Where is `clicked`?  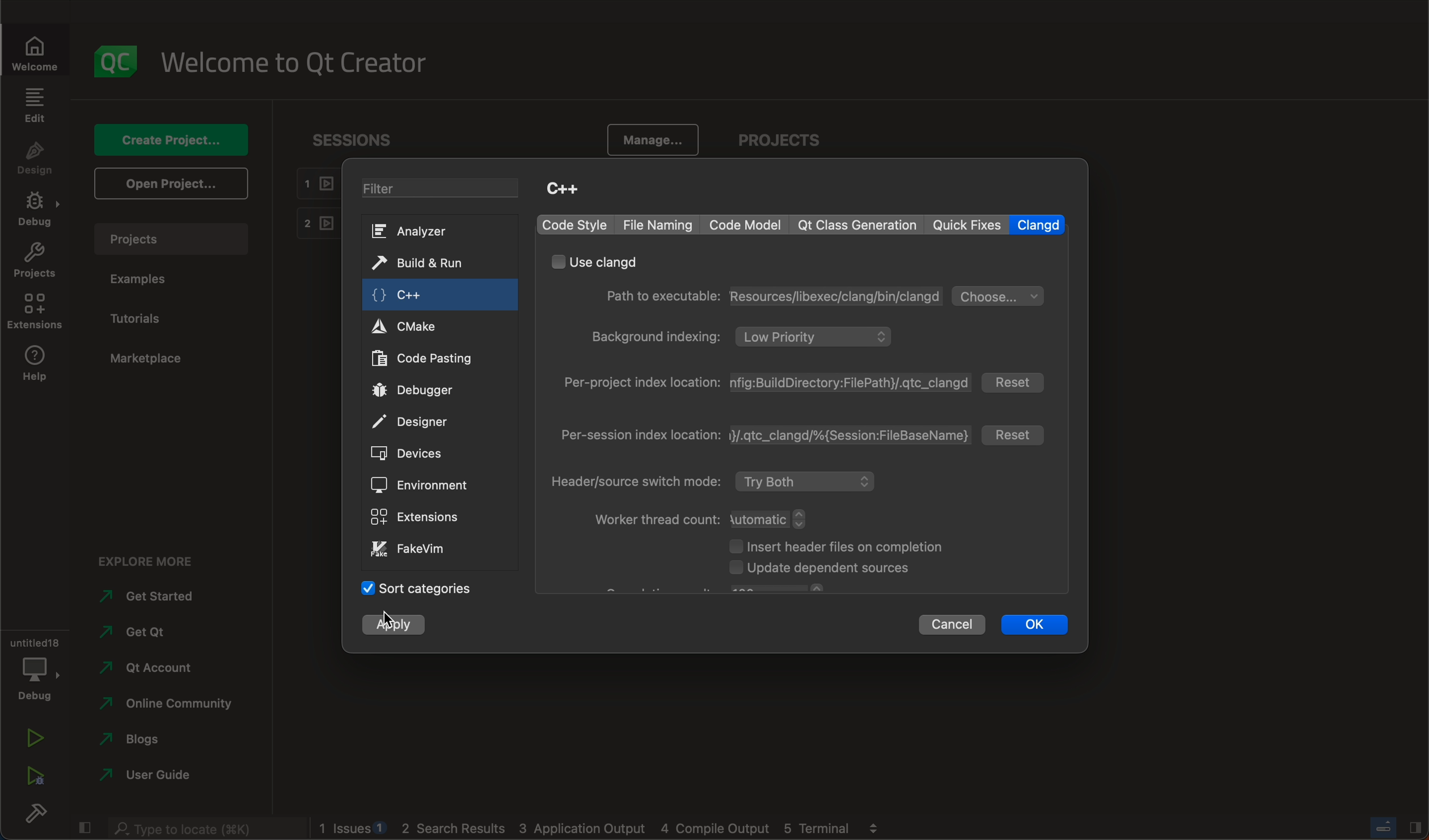 clicked is located at coordinates (396, 626).